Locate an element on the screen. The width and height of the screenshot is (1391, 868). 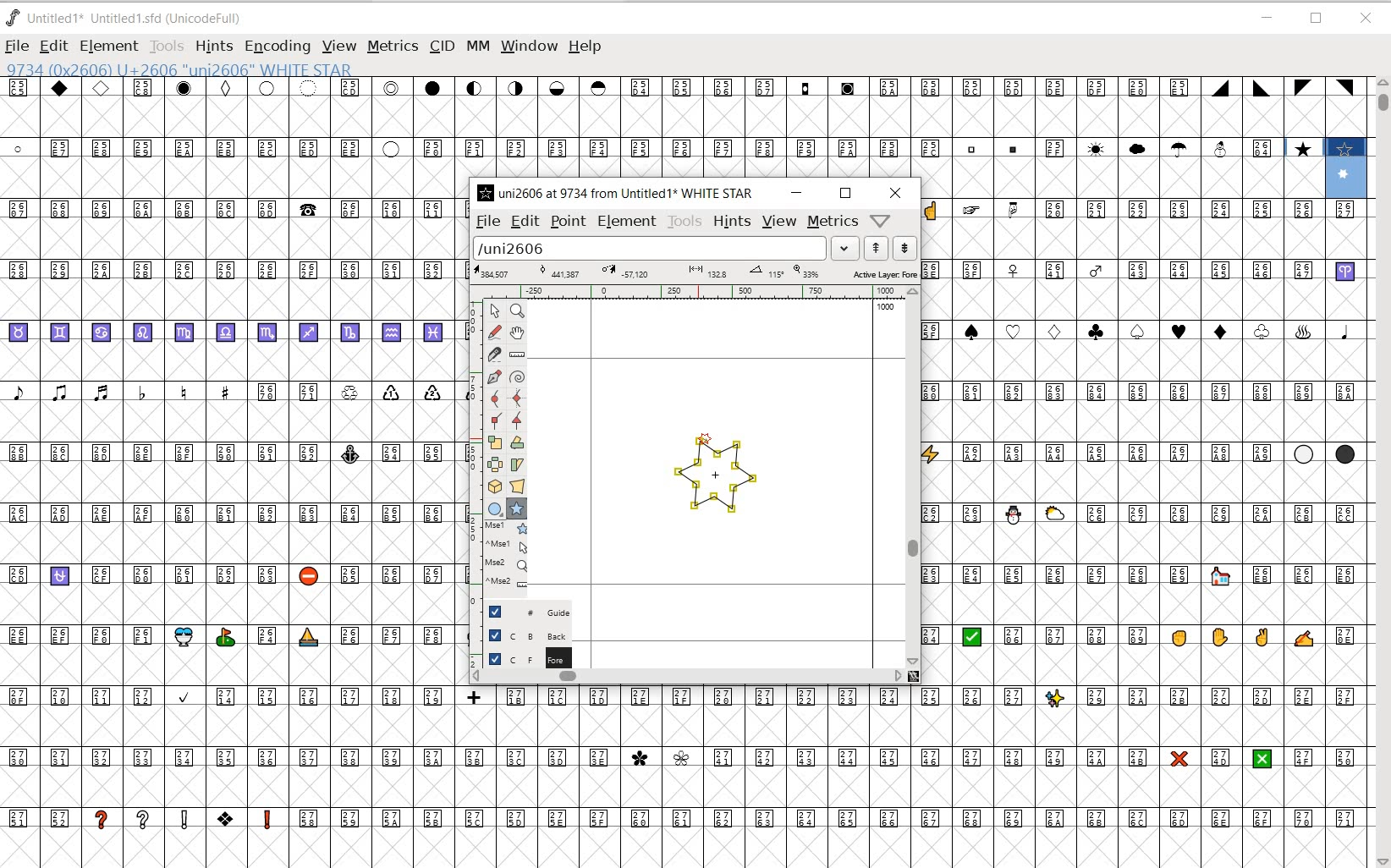
MEASURE DISTANCE  is located at coordinates (519, 355).